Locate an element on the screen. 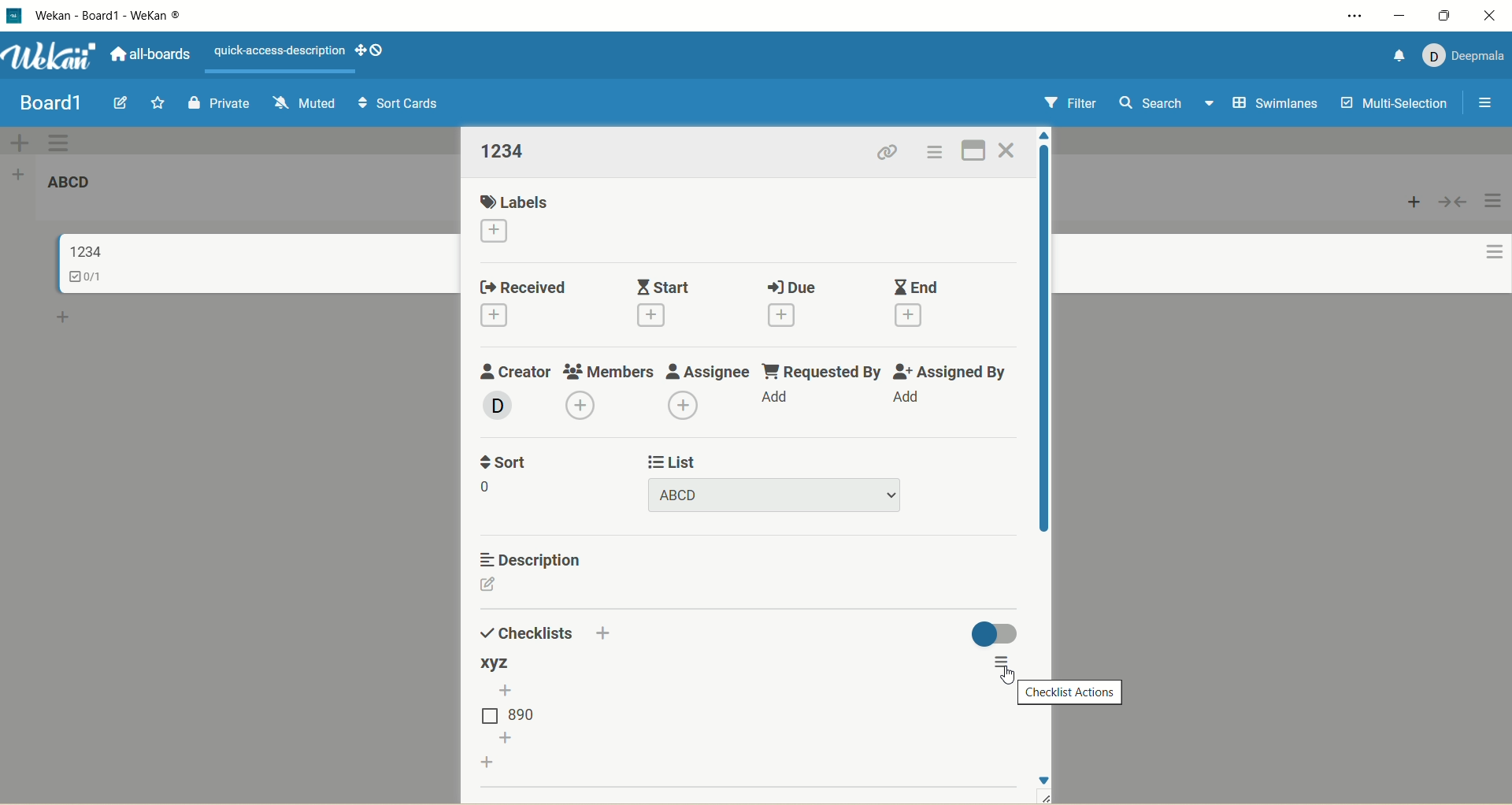  search is located at coordinates (1165, 106).